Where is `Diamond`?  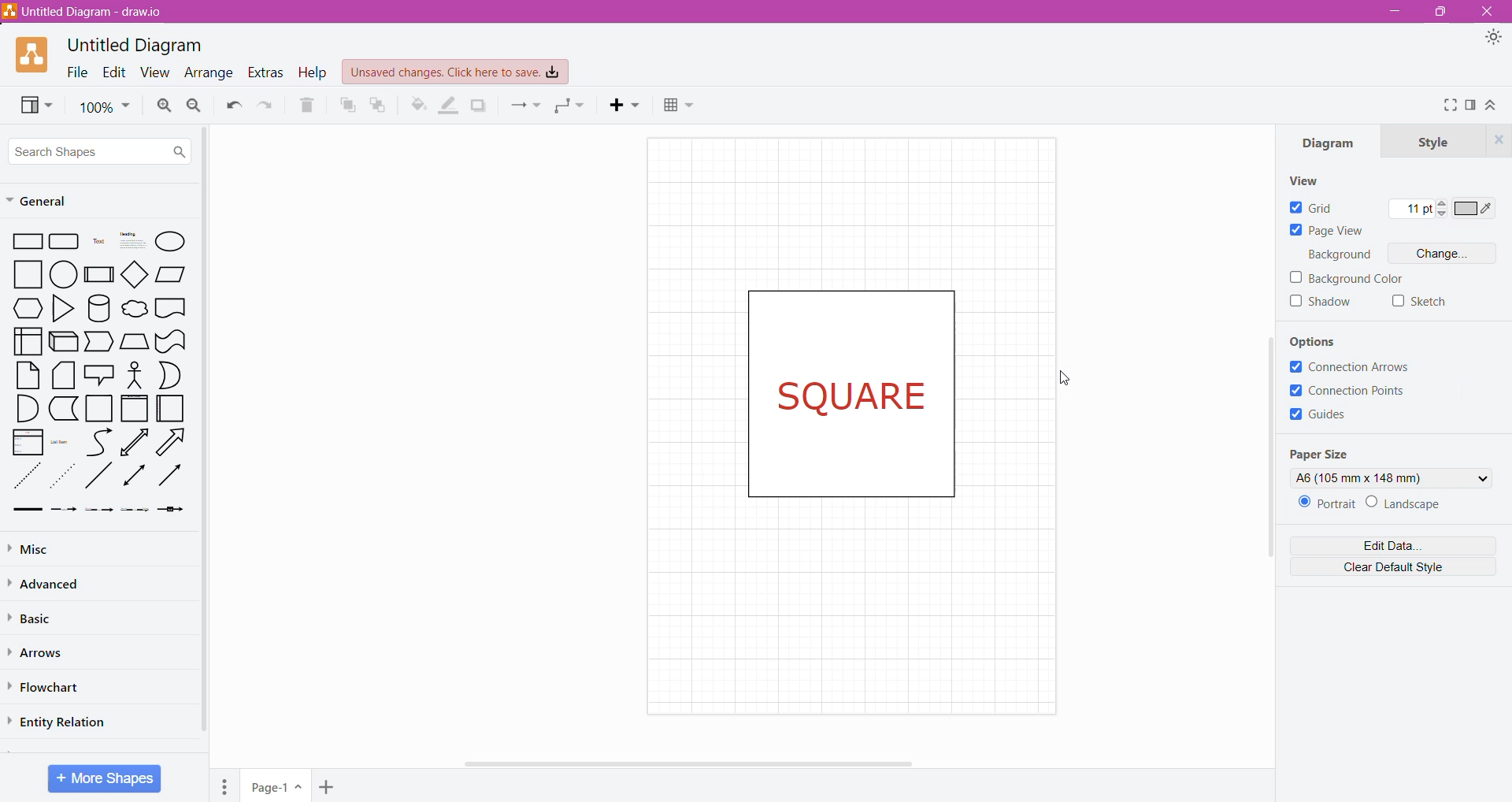 Diamond is located at coordinates (135, 273).